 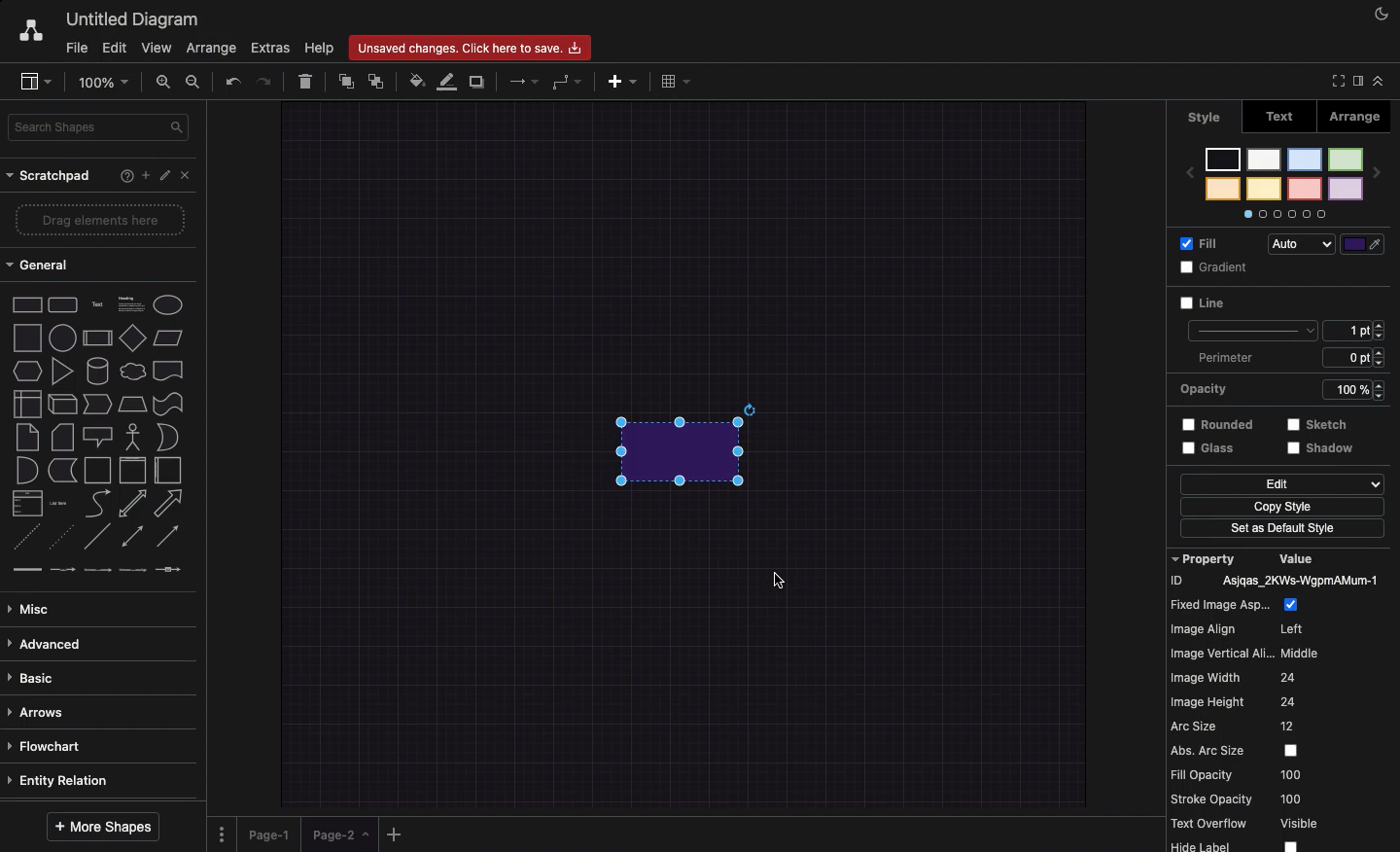 I want to click on Duplicate, so click(x=479, y=79).